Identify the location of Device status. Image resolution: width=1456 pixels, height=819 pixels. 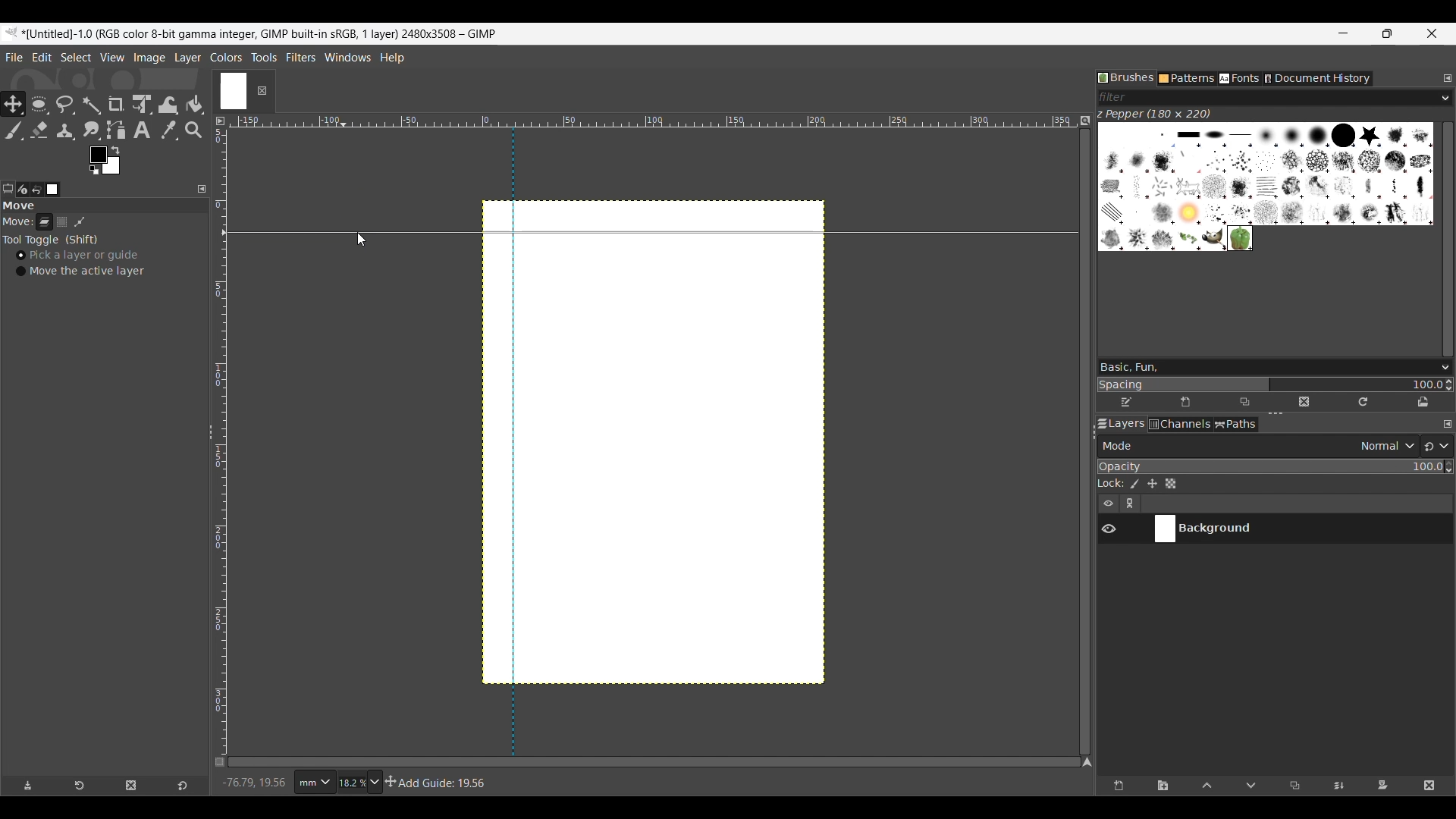
(22, 190).